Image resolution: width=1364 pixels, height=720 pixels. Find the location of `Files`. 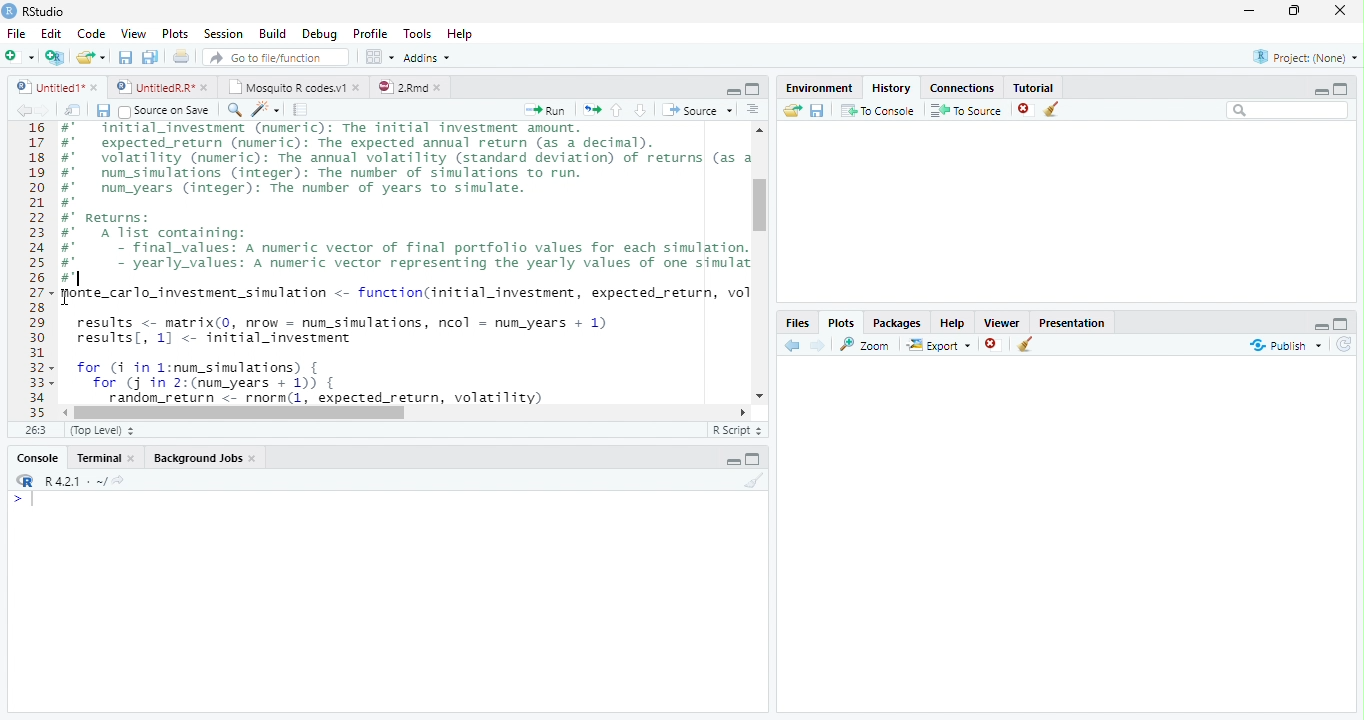

Files is located at coordinates (798, 322).